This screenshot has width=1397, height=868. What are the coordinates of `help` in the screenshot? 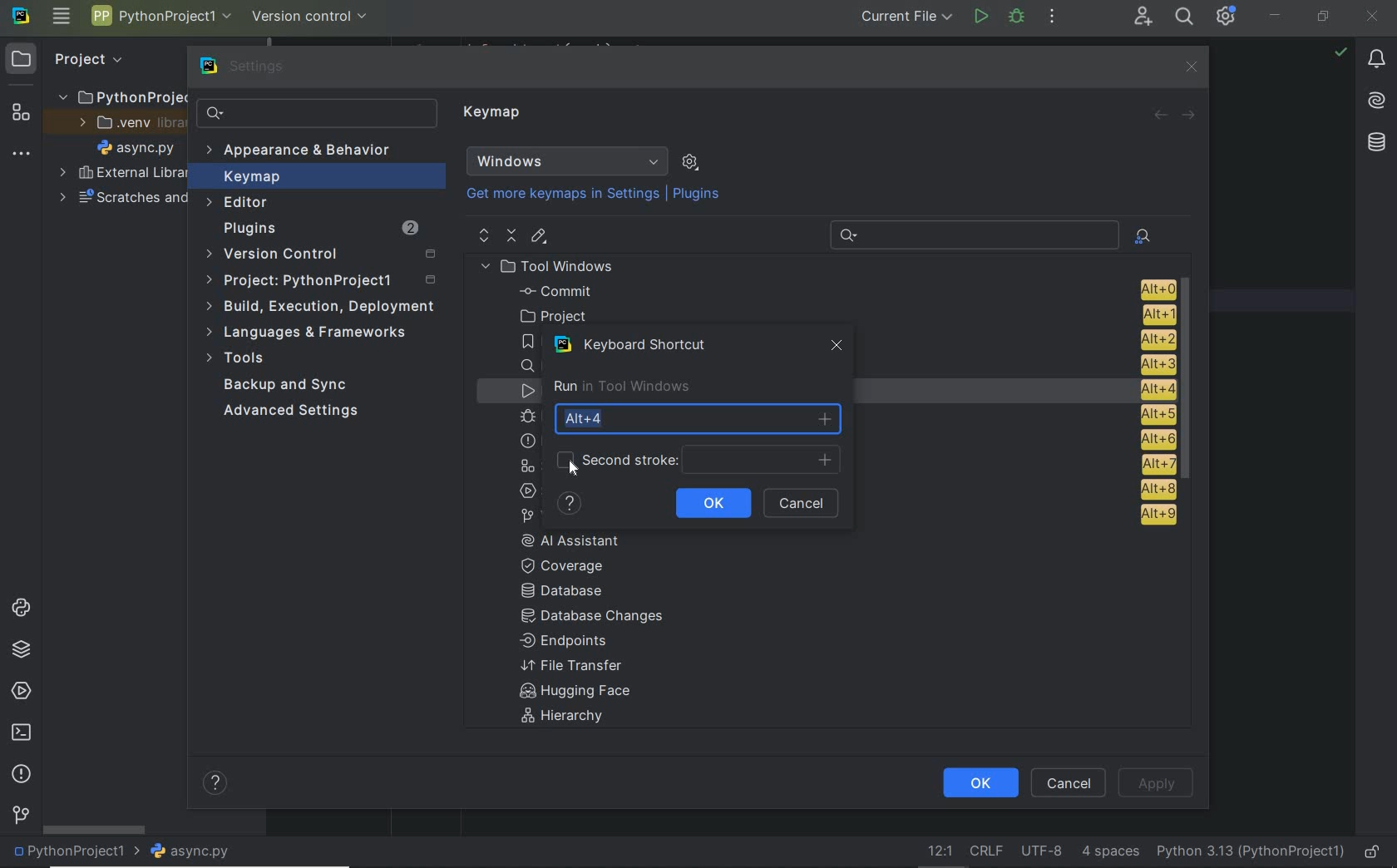 It's located at (570, 504).